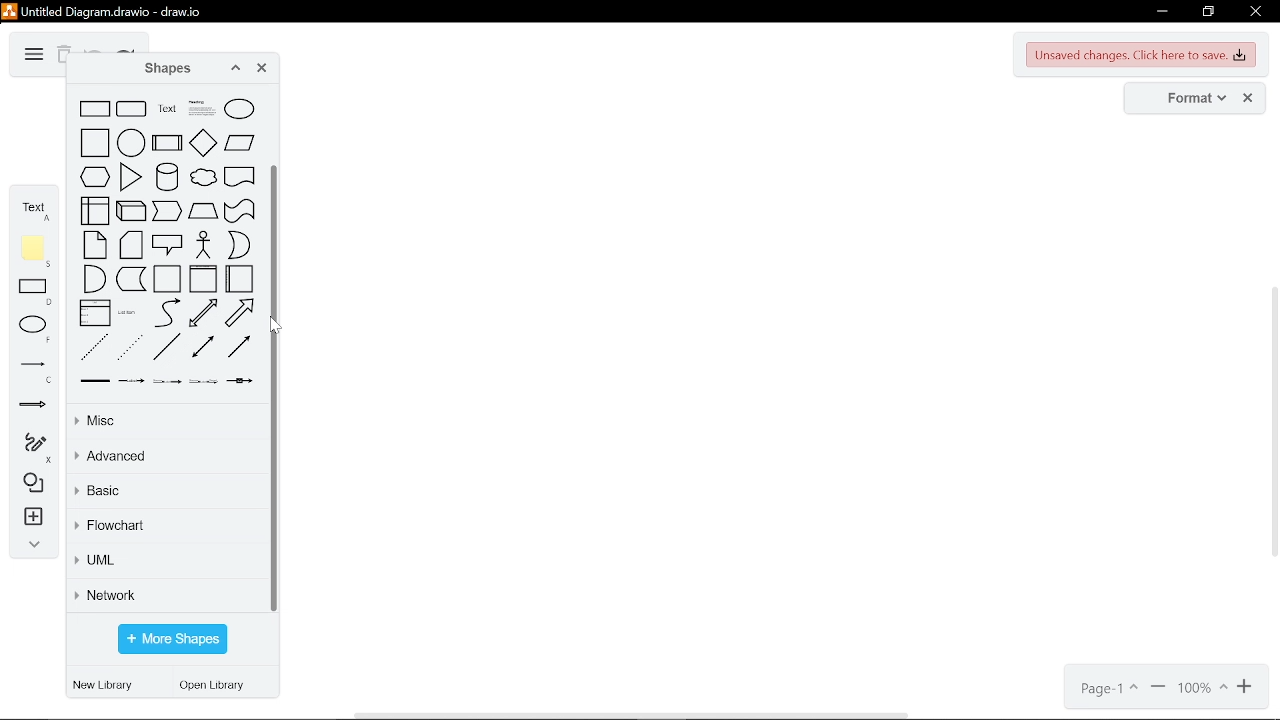  I want to click on data storage, so click(131, 279).